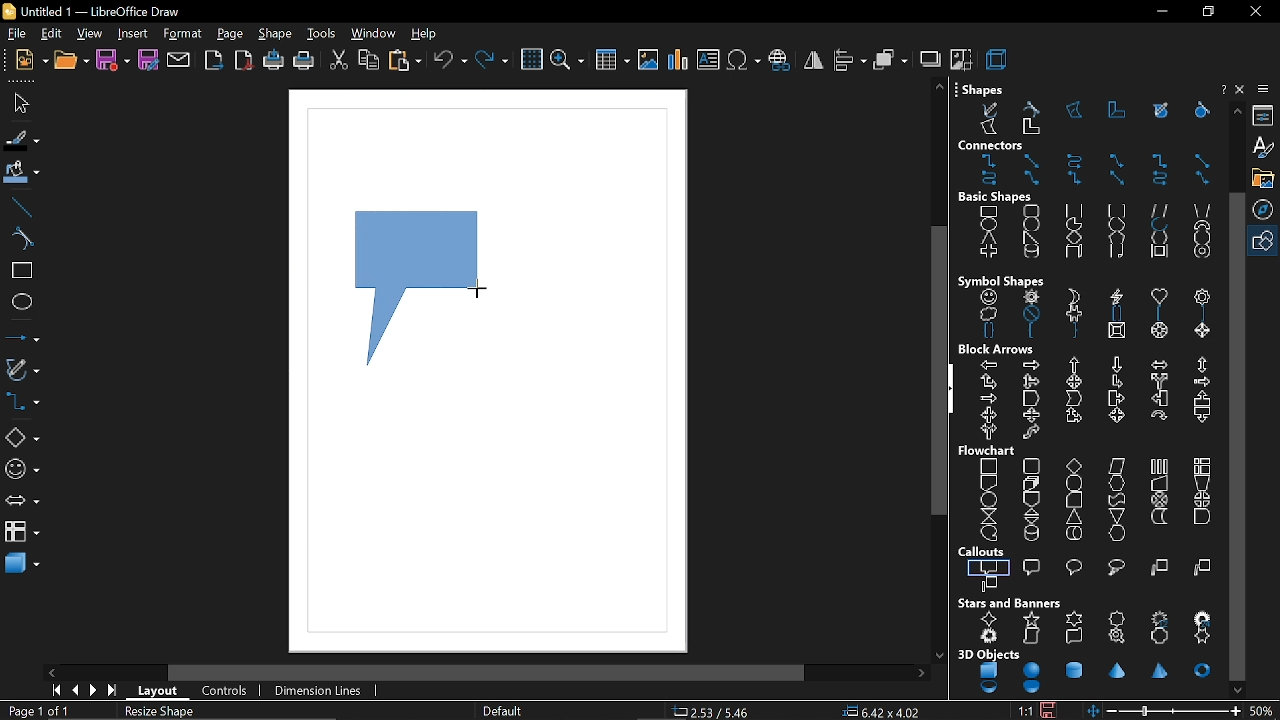 The width and height of the screenshot is (1280, 720). I want to click on decision, so click(1074, 465).